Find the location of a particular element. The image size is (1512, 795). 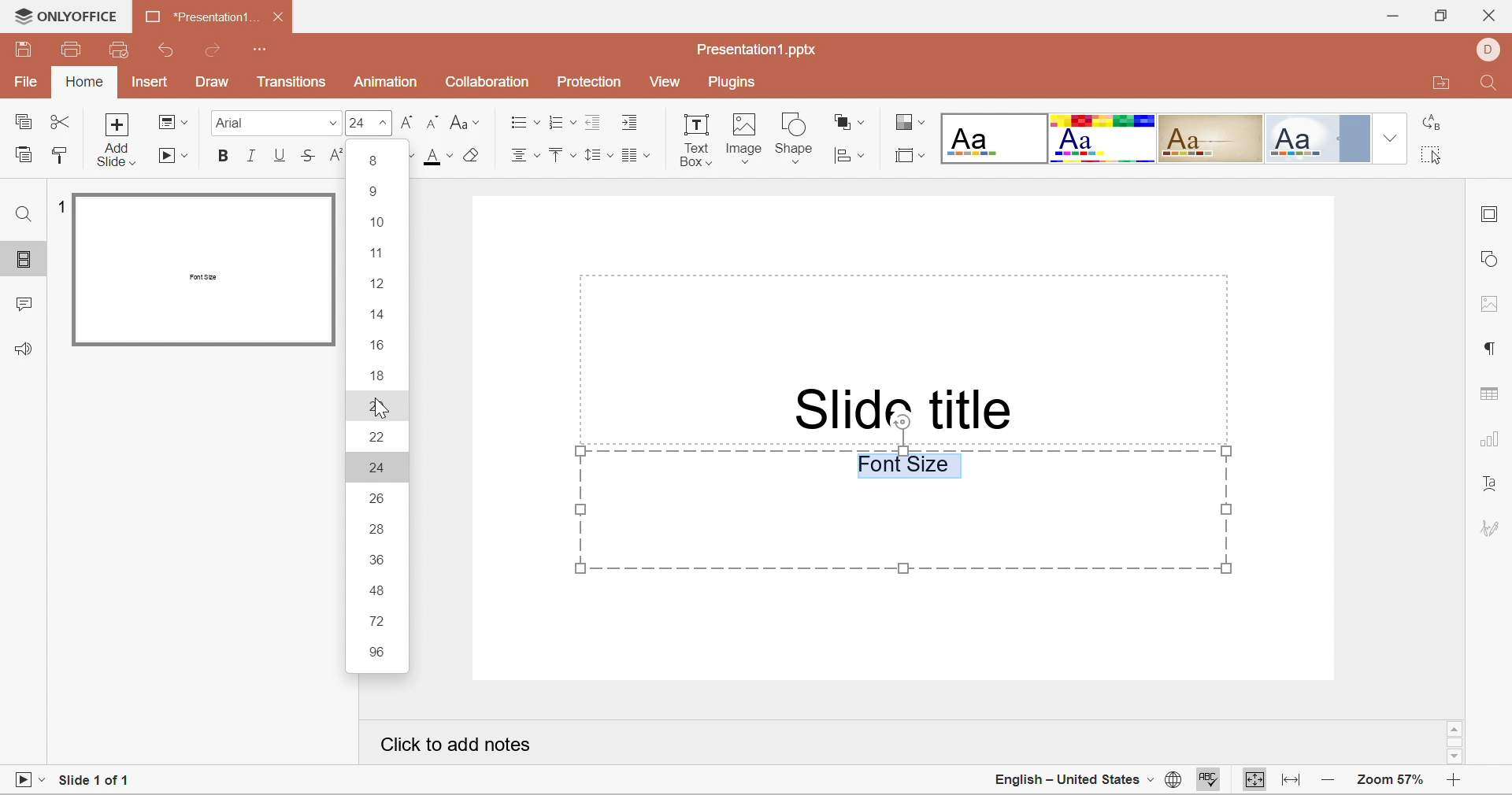

1 is located at coordinates (57, 205).